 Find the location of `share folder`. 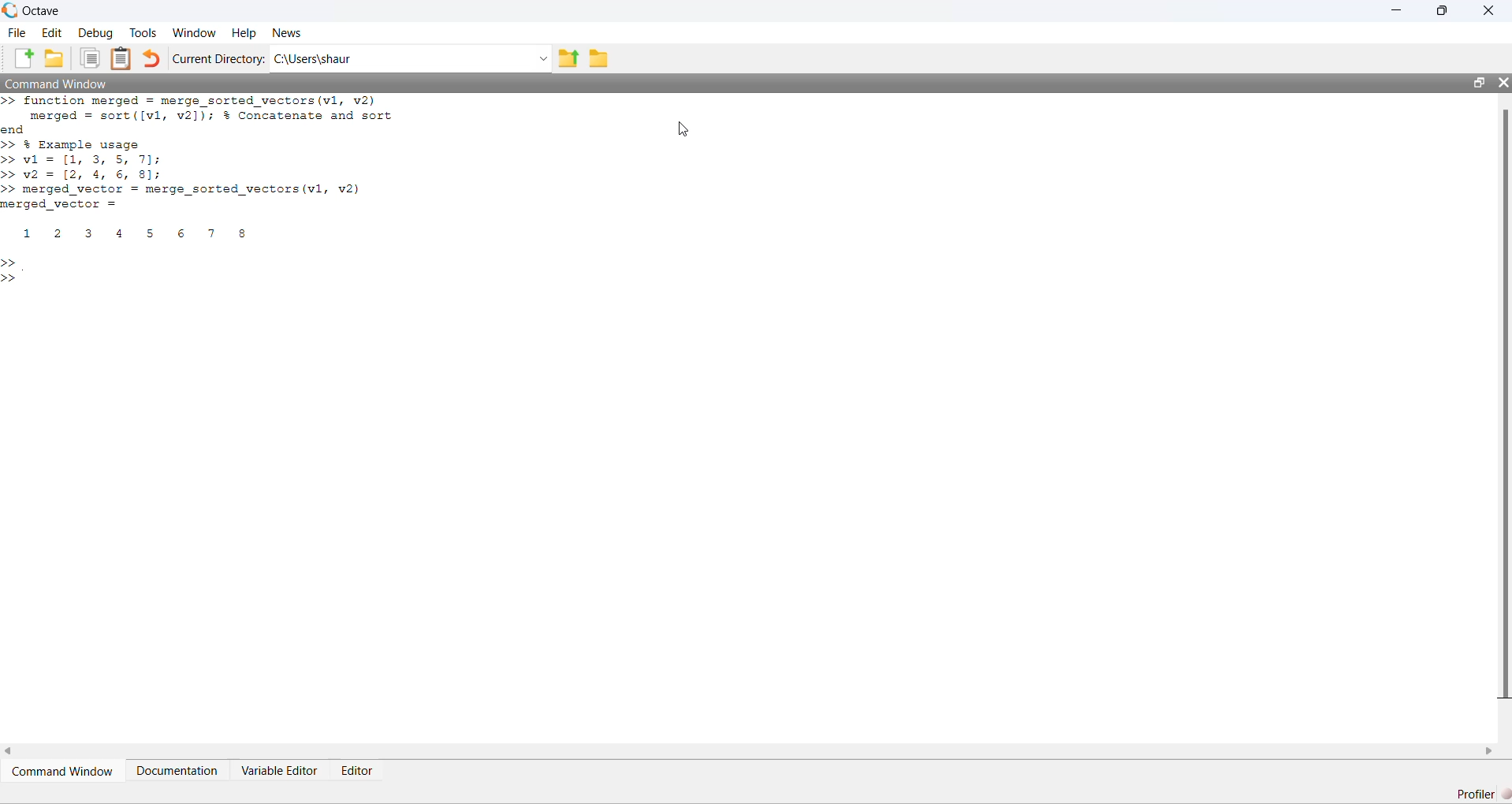

share folder is located at coordinates (568, 58).